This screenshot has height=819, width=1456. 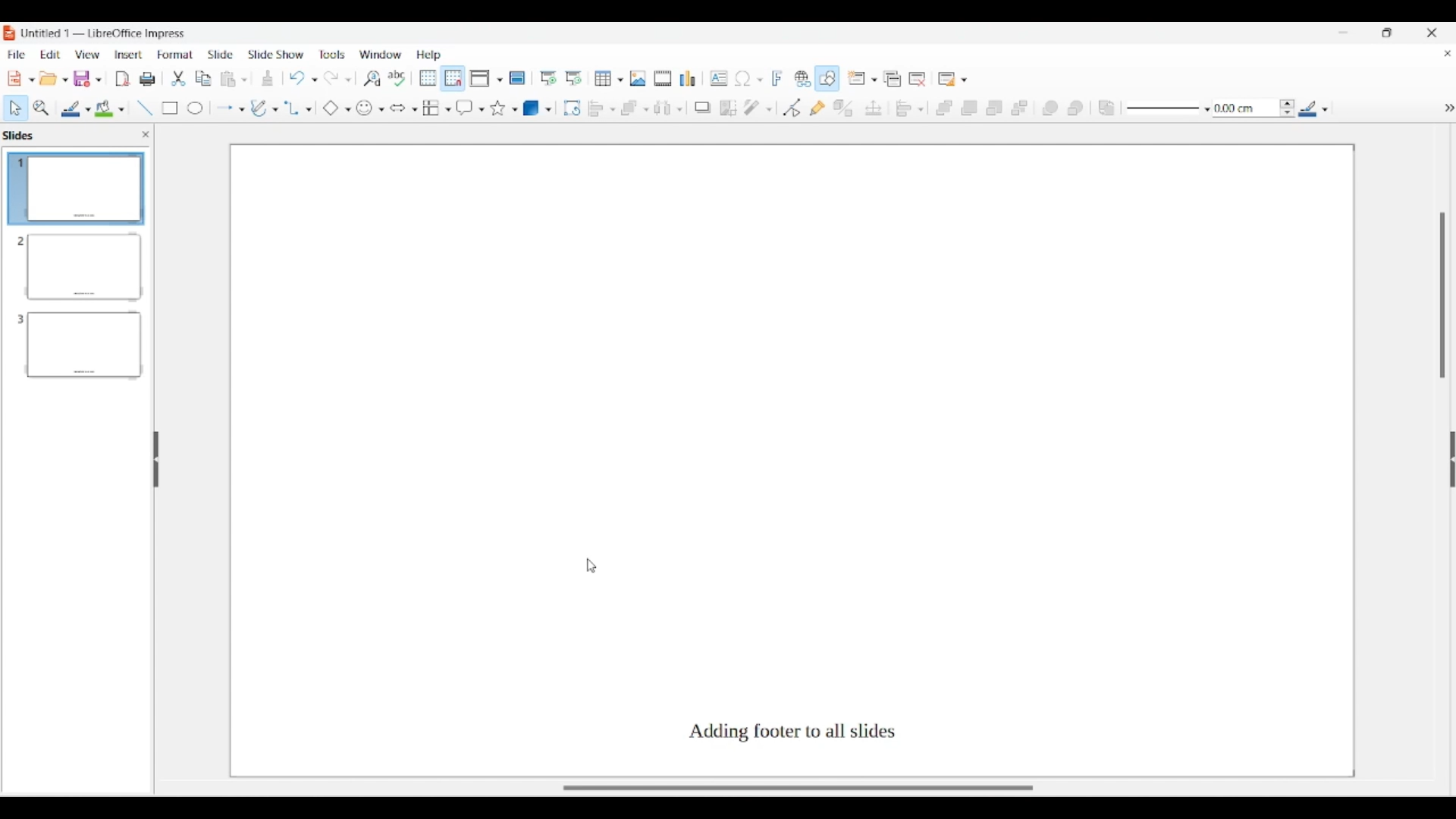 What do you see at coordinates (995, 108) in the screenshot?
I see `Send backward` at bounding box center [995, 108].